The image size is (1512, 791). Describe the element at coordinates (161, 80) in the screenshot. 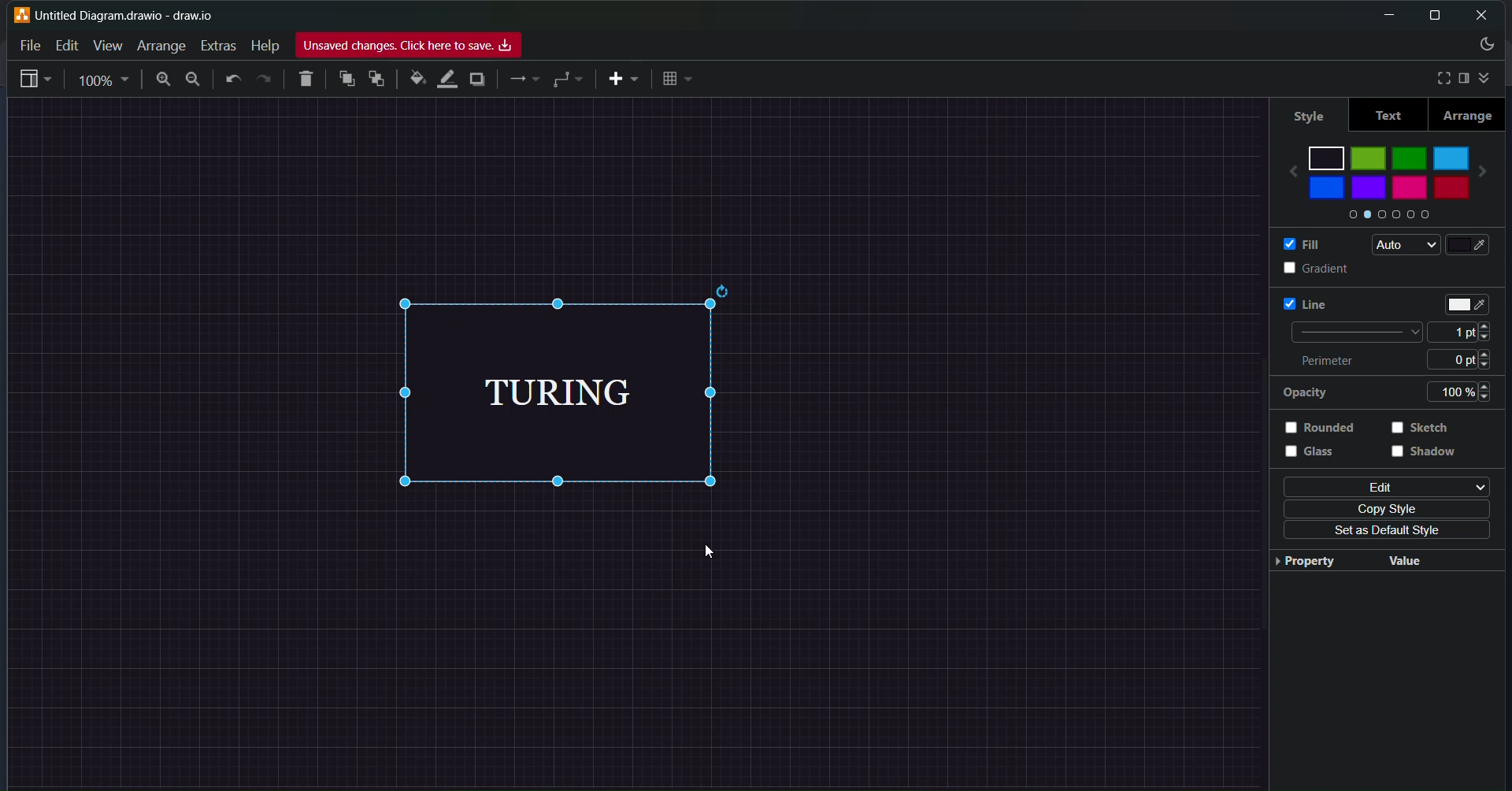

I see `zoom in` at that location.